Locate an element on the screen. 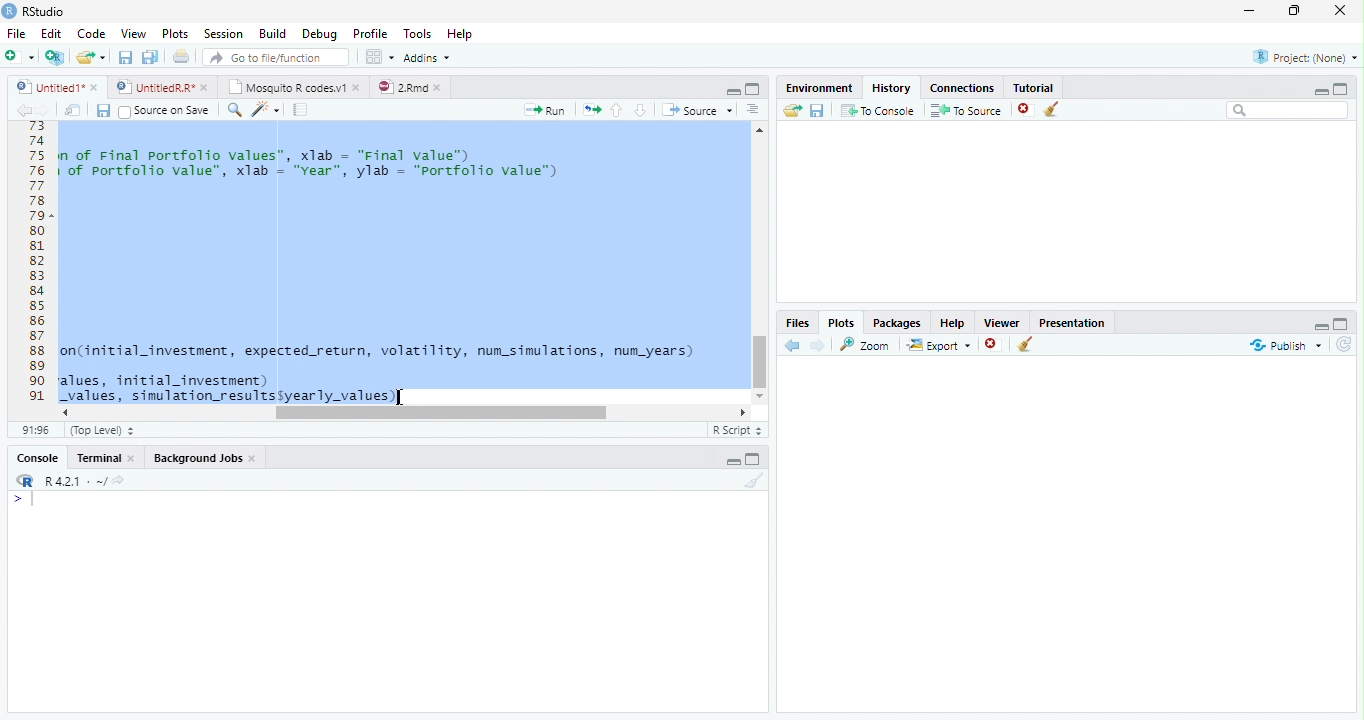 This screenshot has width=1364, height=720. Open new file is located at coordinates (19, 56).